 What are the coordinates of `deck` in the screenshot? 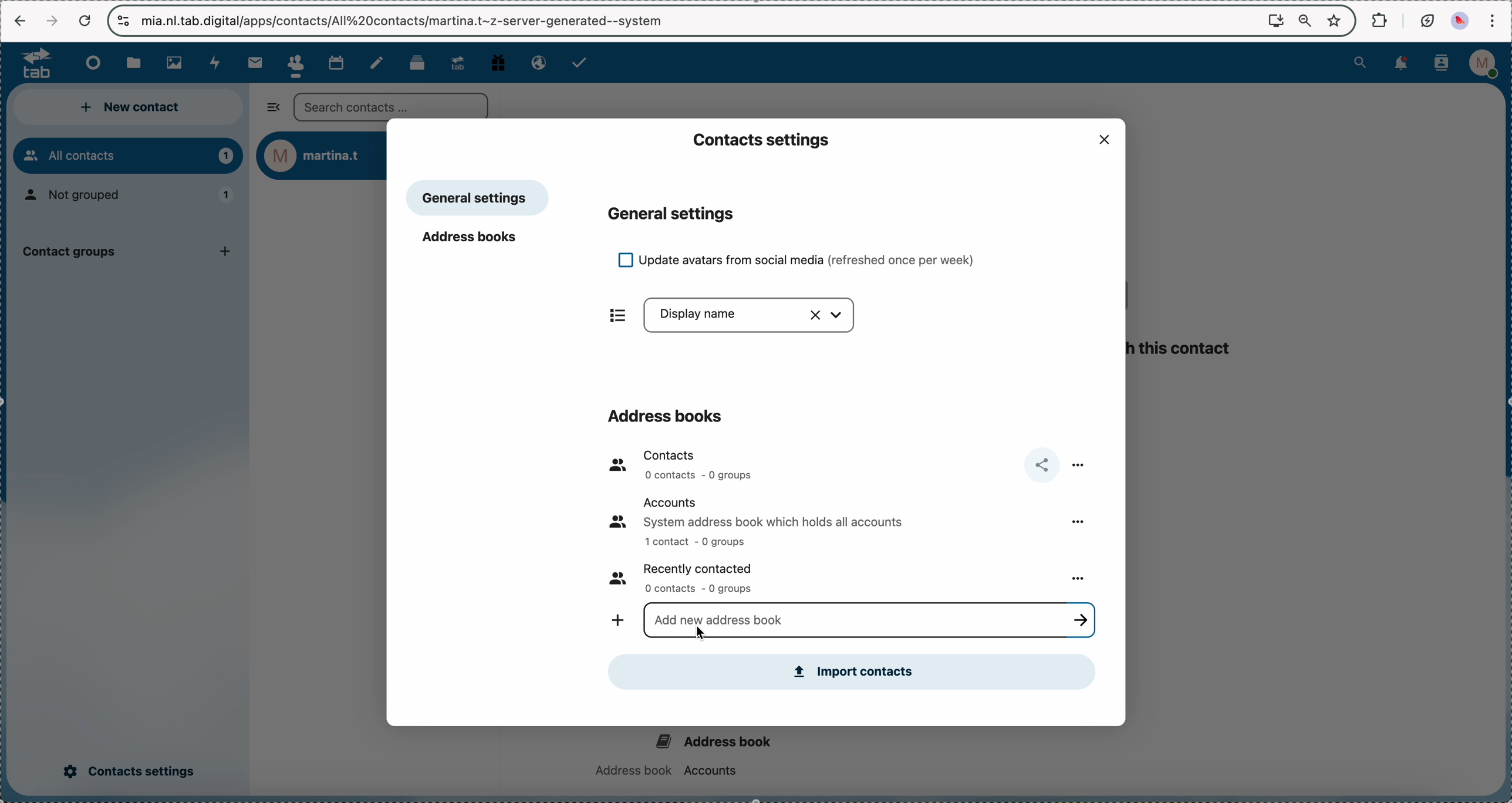 It's located at (416, 63).